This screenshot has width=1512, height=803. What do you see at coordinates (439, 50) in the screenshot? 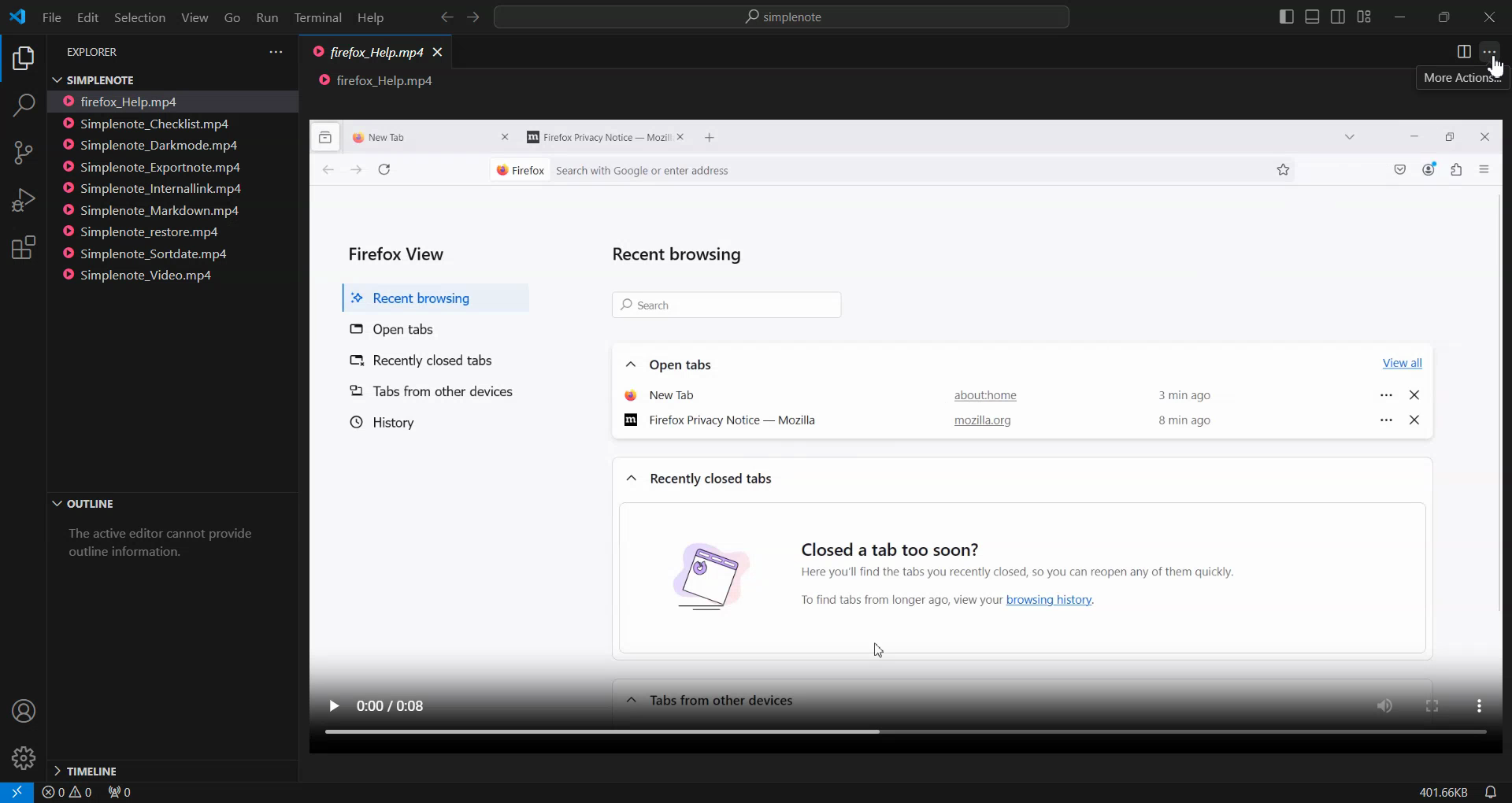
I see `Close` at bounding box center [439, 50].